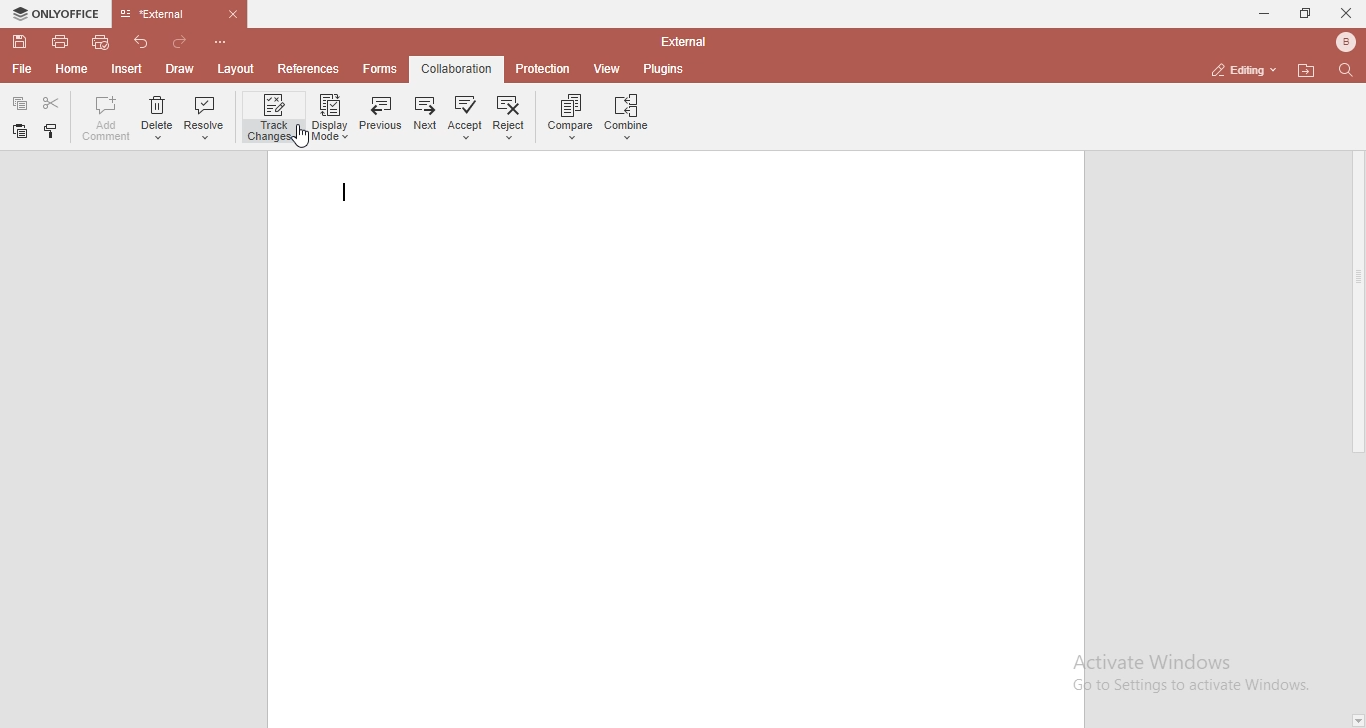  What do you see at coordinates (275, 119) in the screenshot?
I see `track chnages` at bounding box center [275, 119].